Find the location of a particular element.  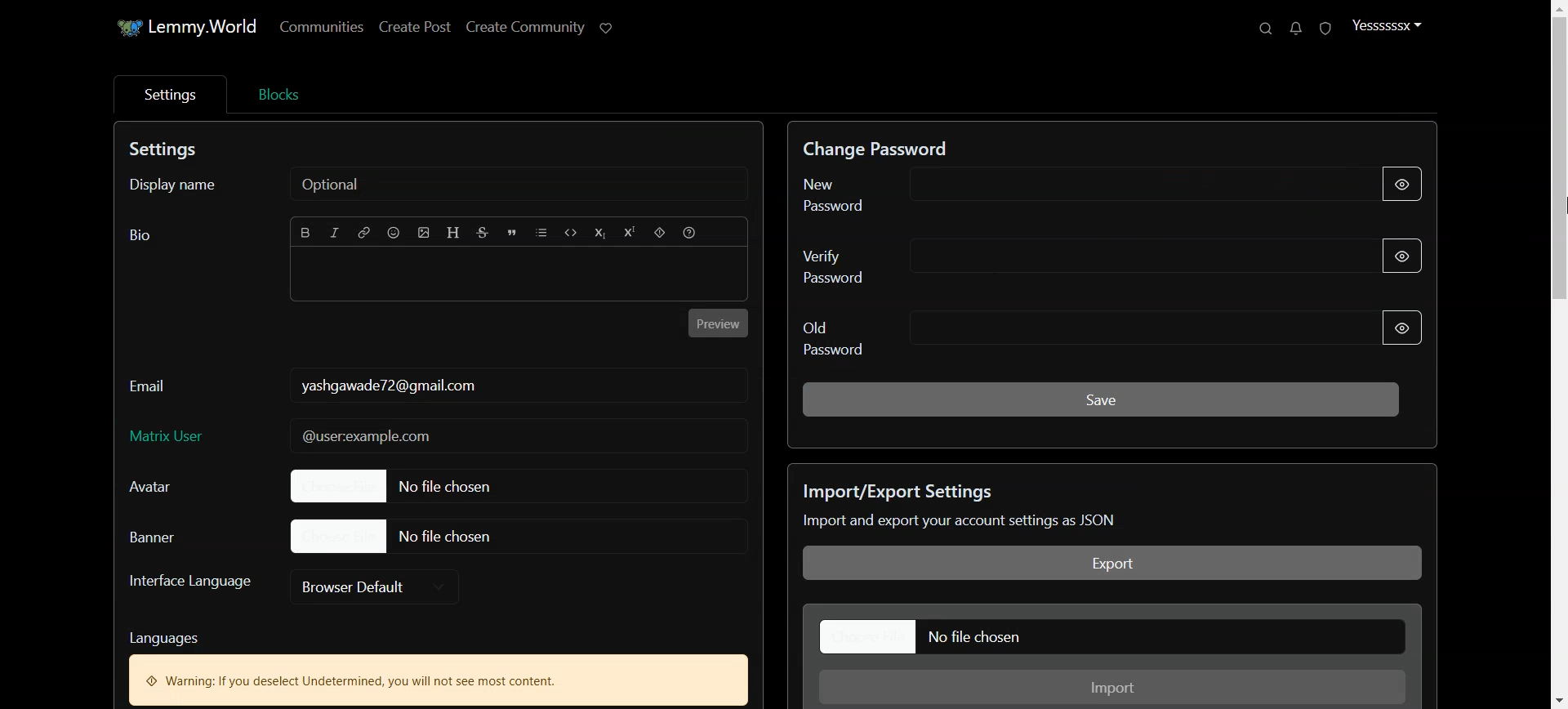

Superscript is located at coordinates (629, 232).